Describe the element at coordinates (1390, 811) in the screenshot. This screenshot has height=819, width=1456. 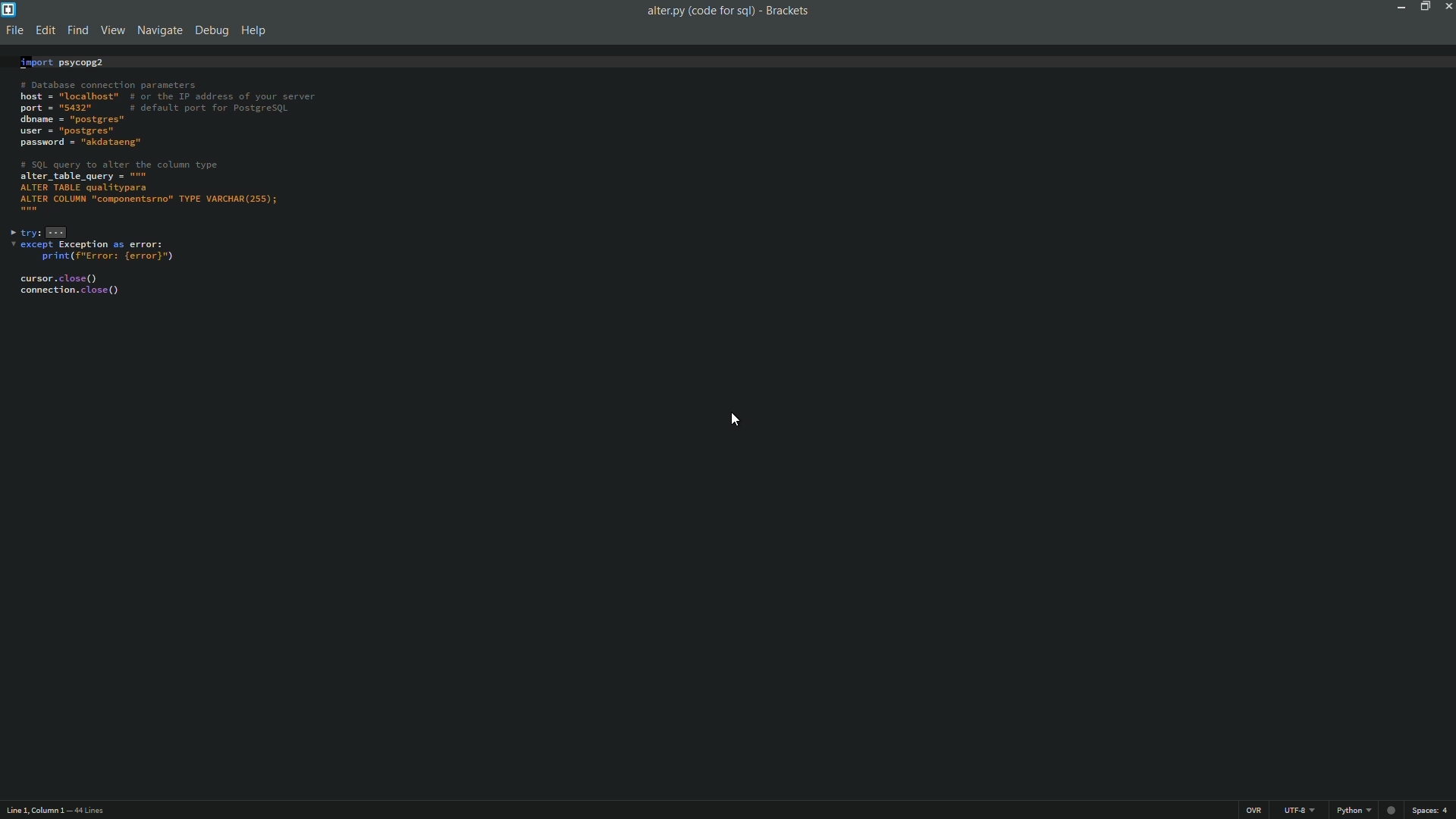
I see `No linter available` at that location.